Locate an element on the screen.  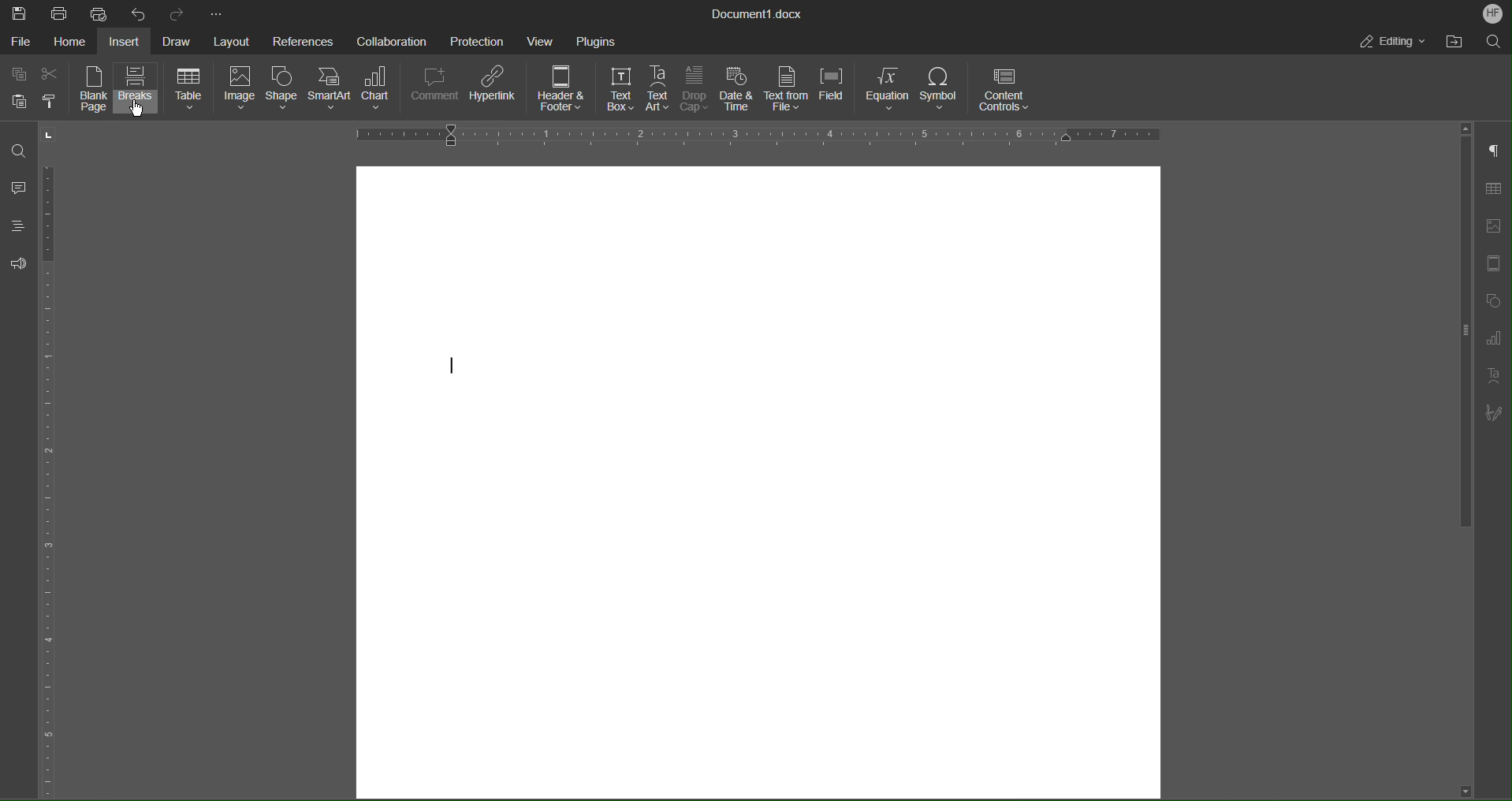
Text from File is located at coordinates (787, 89).